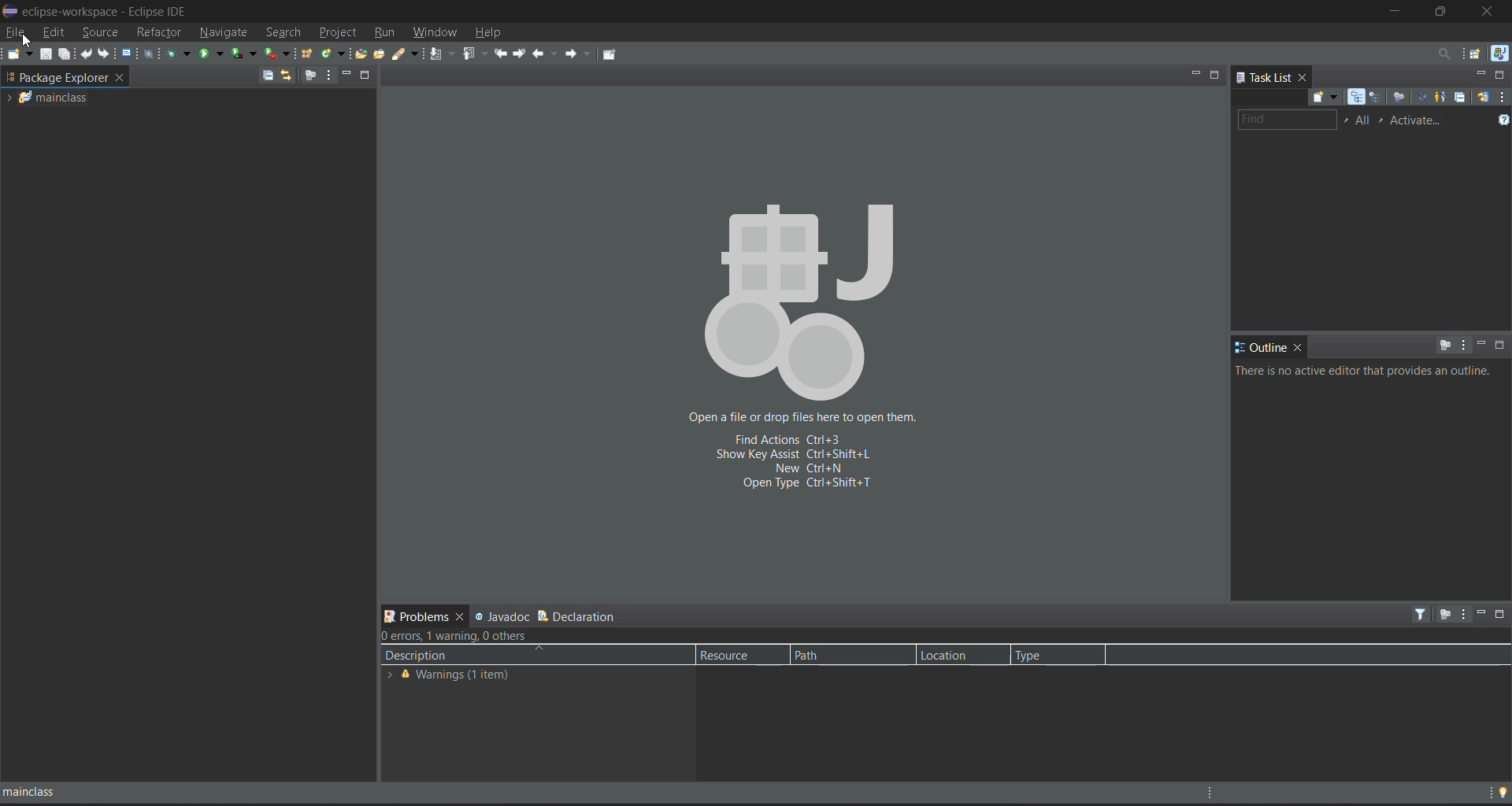  Describe the element at coordinates (1358, 97) in the screenshot. I see `categorized` at that location.